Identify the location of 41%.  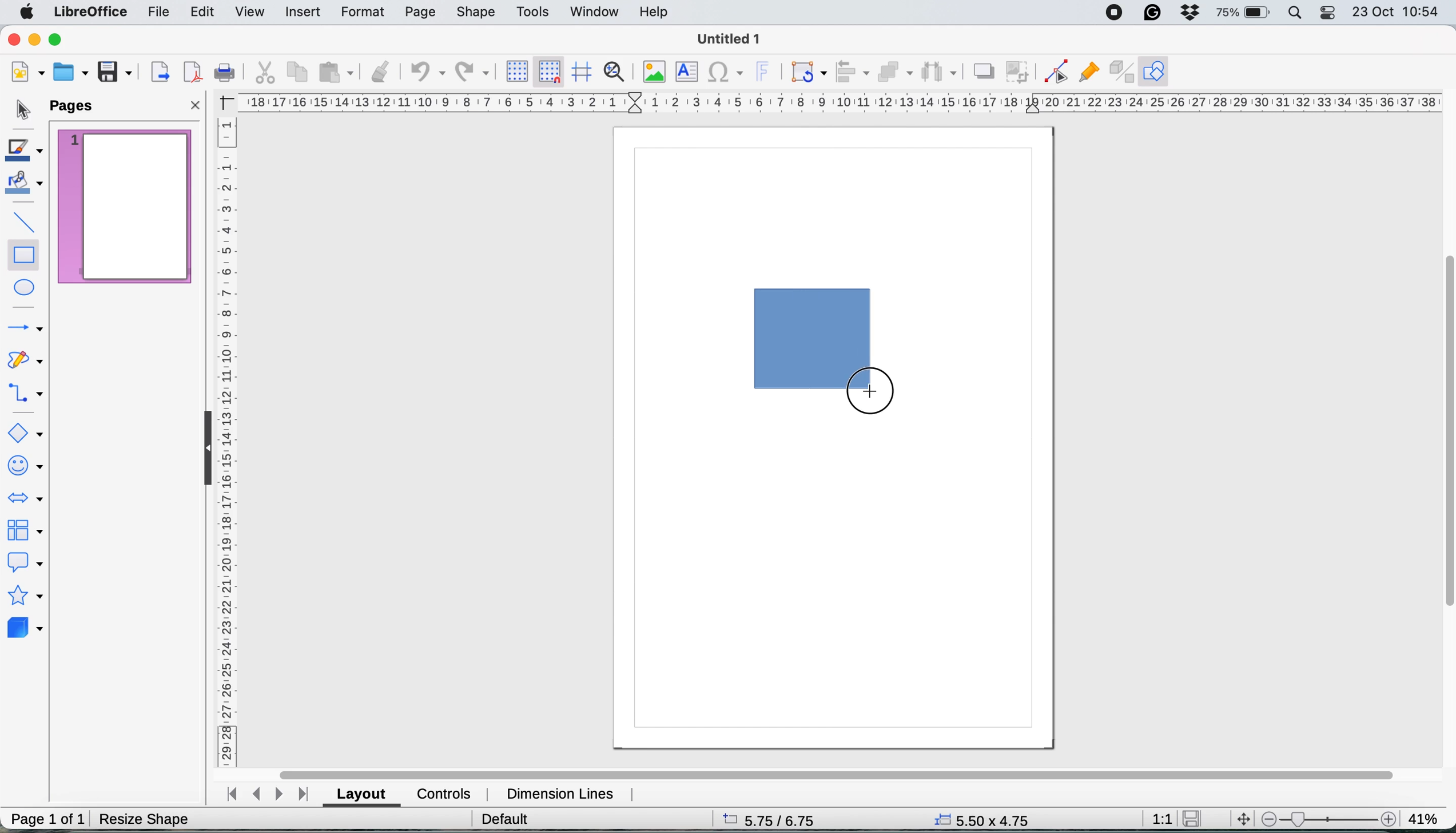
(1423, 816).